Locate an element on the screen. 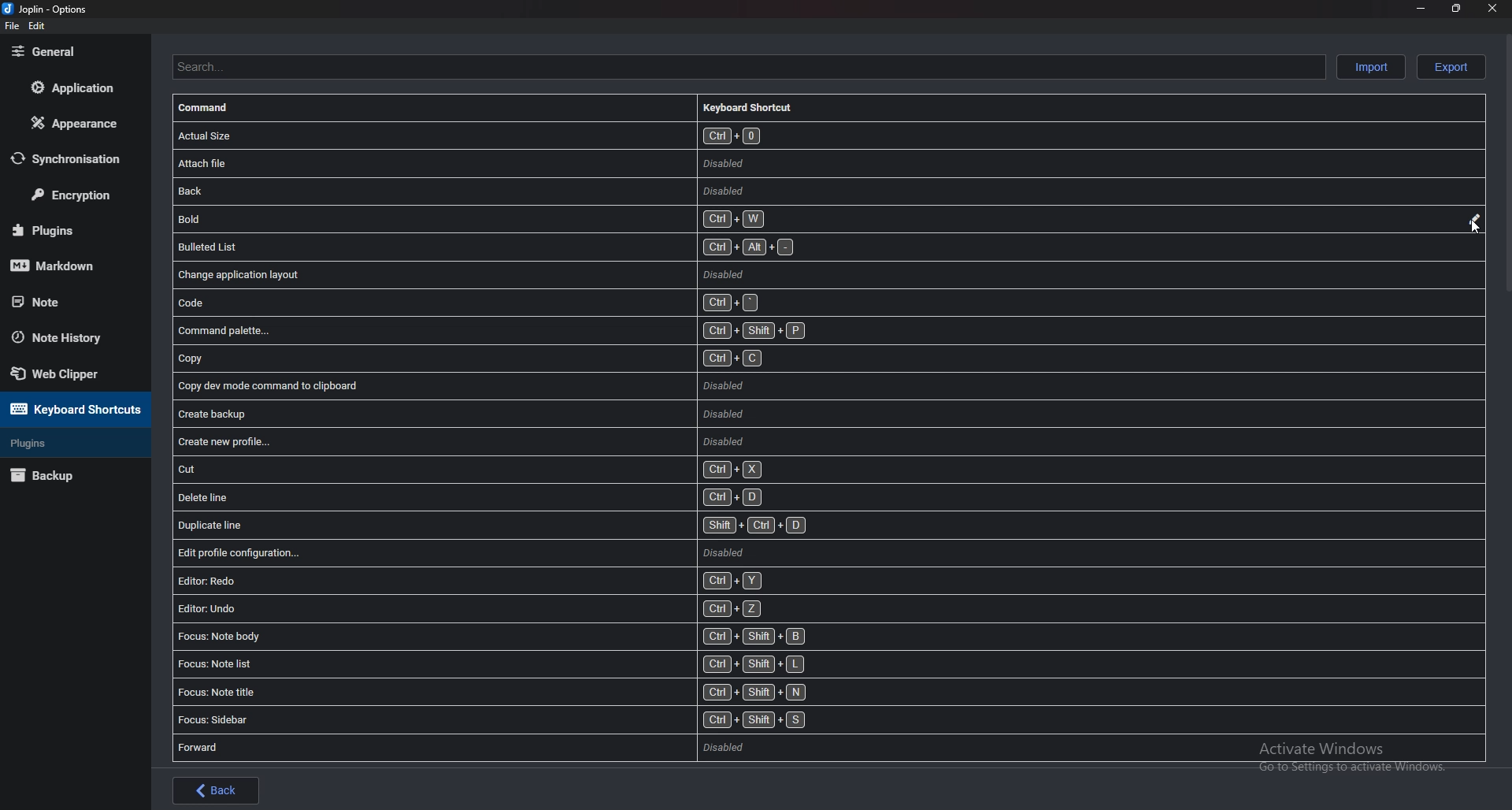 The width and height of the screenshot is (1512, 810). bold is located at coordinates (610, 217).